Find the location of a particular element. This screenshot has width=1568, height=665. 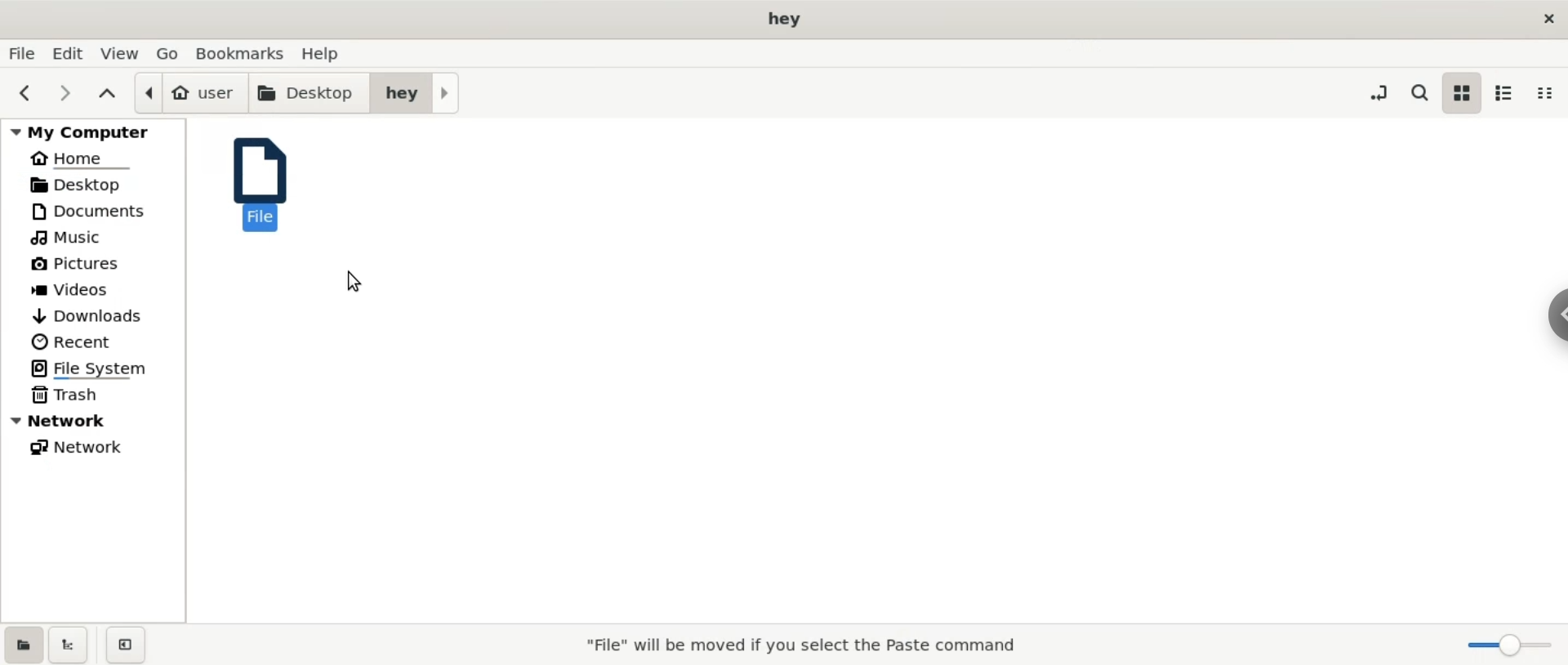

file will be moves if you selected the paste command is located at coordinates (799, 645).